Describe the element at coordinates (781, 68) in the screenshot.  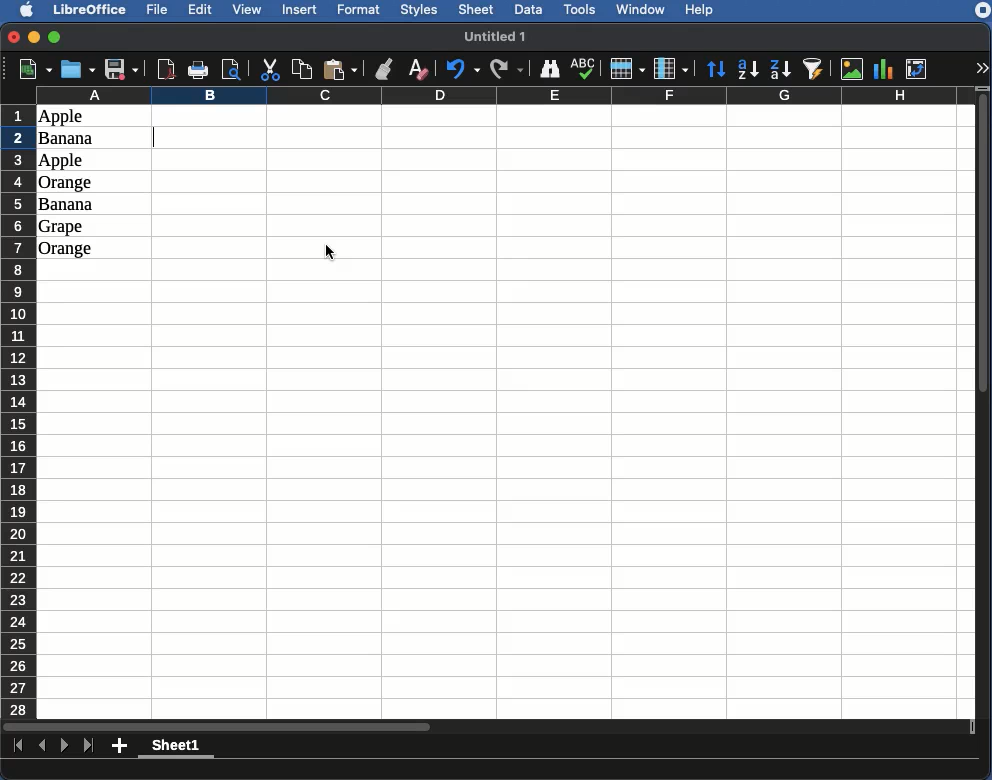
I see `Descending` at that location.